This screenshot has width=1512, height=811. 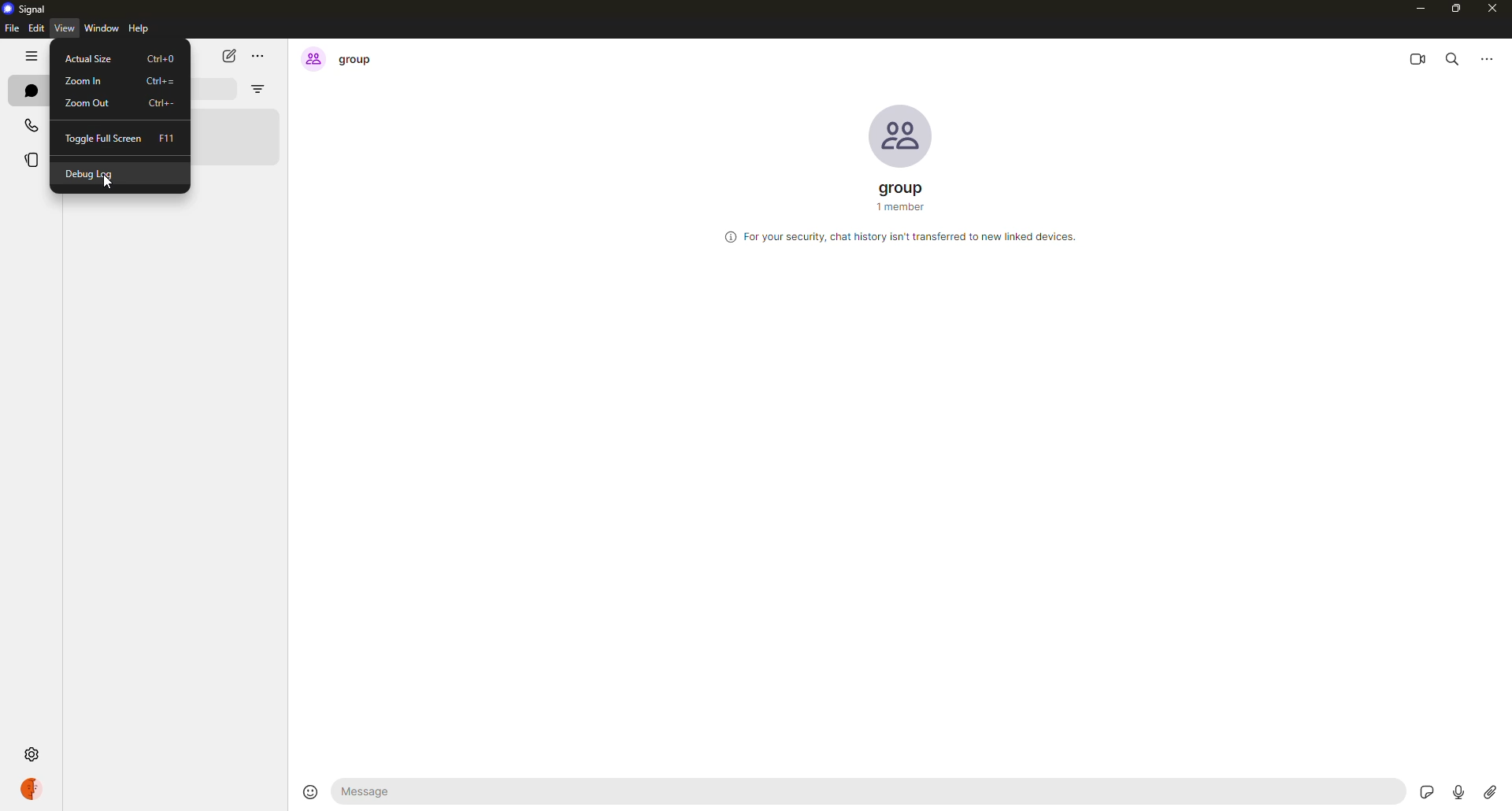 What do you see at coordinates (1489, 792) in the screenshot?
I see `attach` at bounding box center [1489, 792].